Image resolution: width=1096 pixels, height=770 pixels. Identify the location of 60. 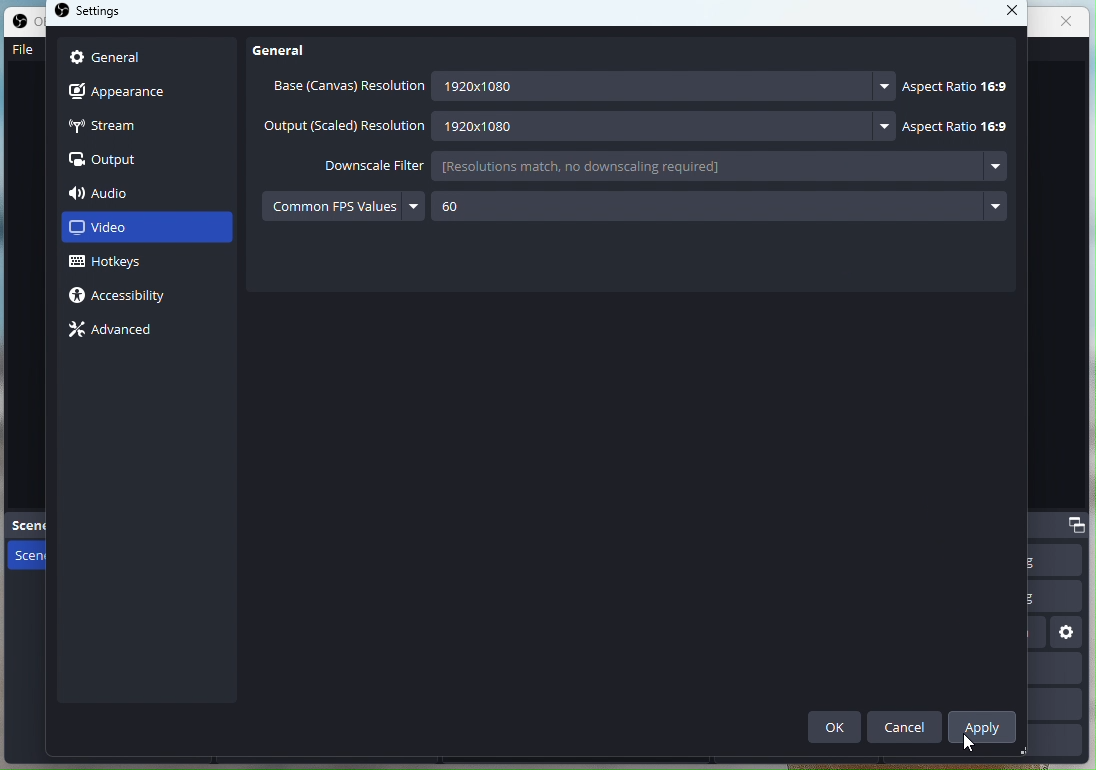
(499, 206).